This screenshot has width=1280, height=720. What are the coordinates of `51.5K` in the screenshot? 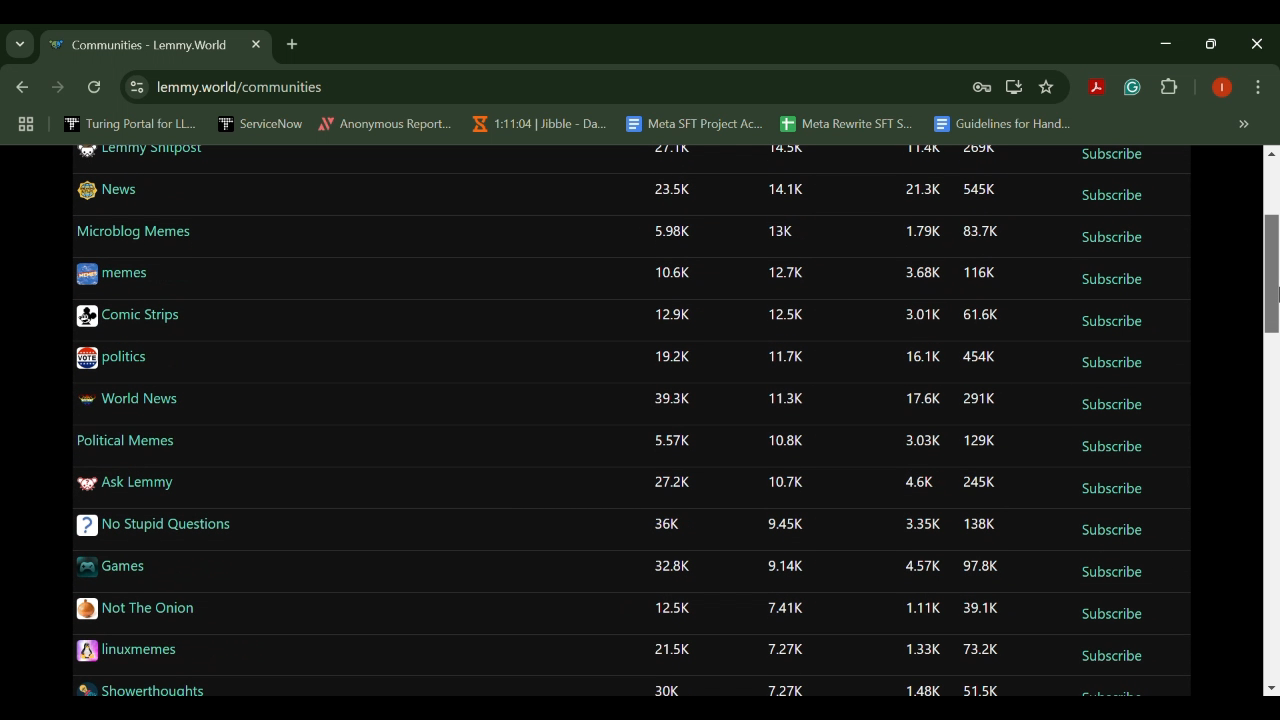 It's located at (981, 692).